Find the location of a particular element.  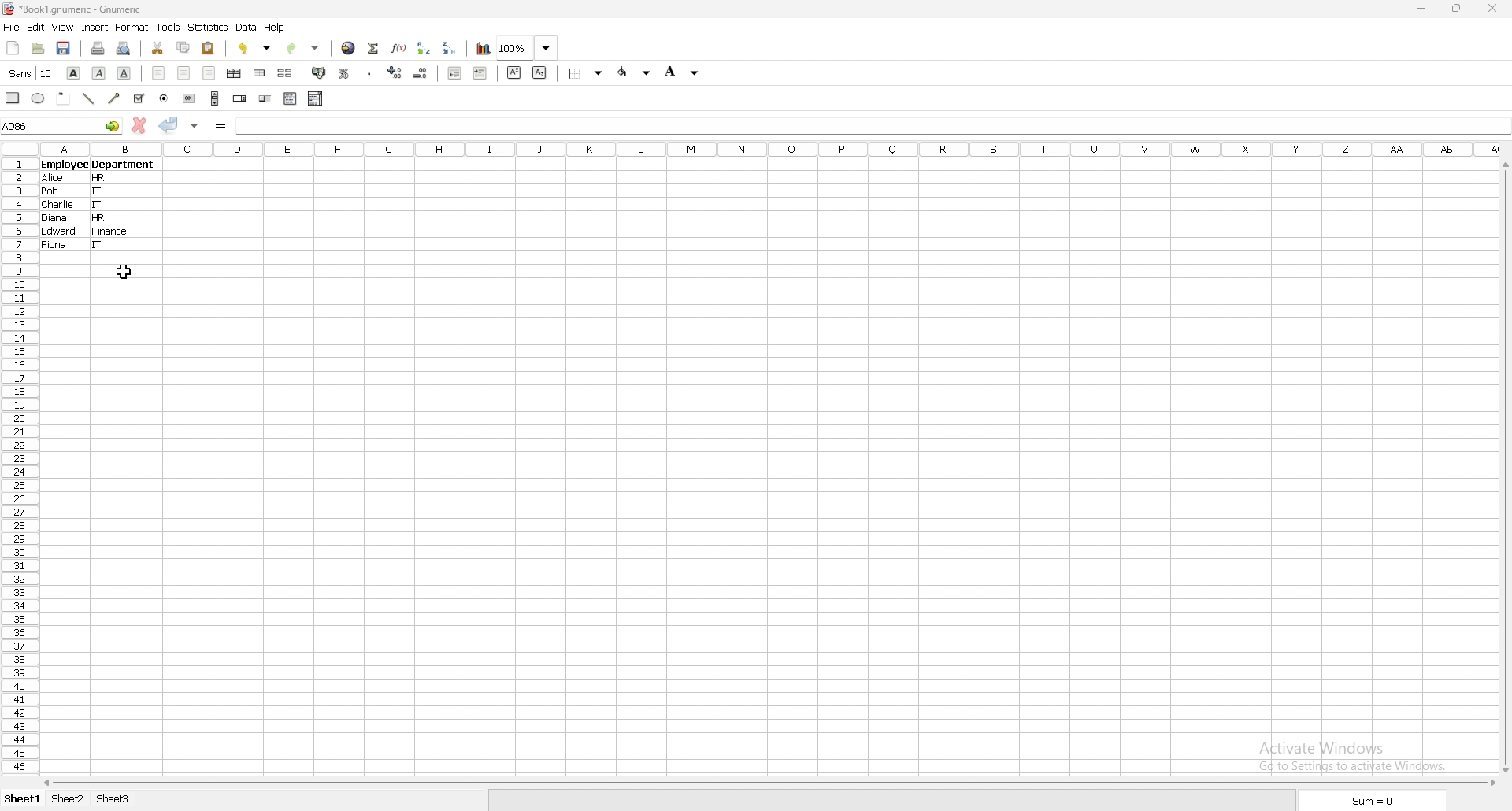

merge cells is located at coordinates (260, 73).